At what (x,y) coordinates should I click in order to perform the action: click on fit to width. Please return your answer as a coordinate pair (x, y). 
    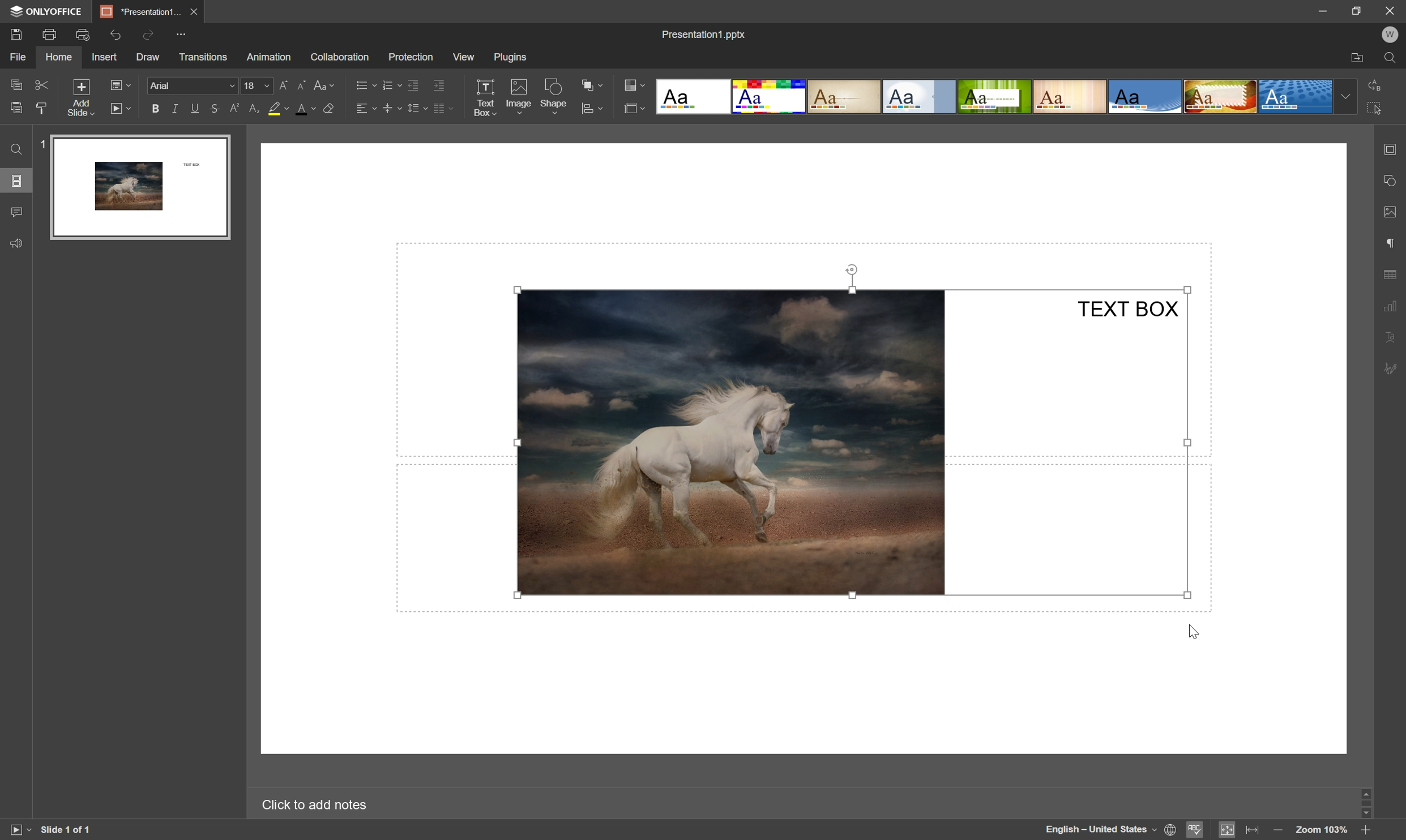
    Looking at the image, I should click on (1254, 830).